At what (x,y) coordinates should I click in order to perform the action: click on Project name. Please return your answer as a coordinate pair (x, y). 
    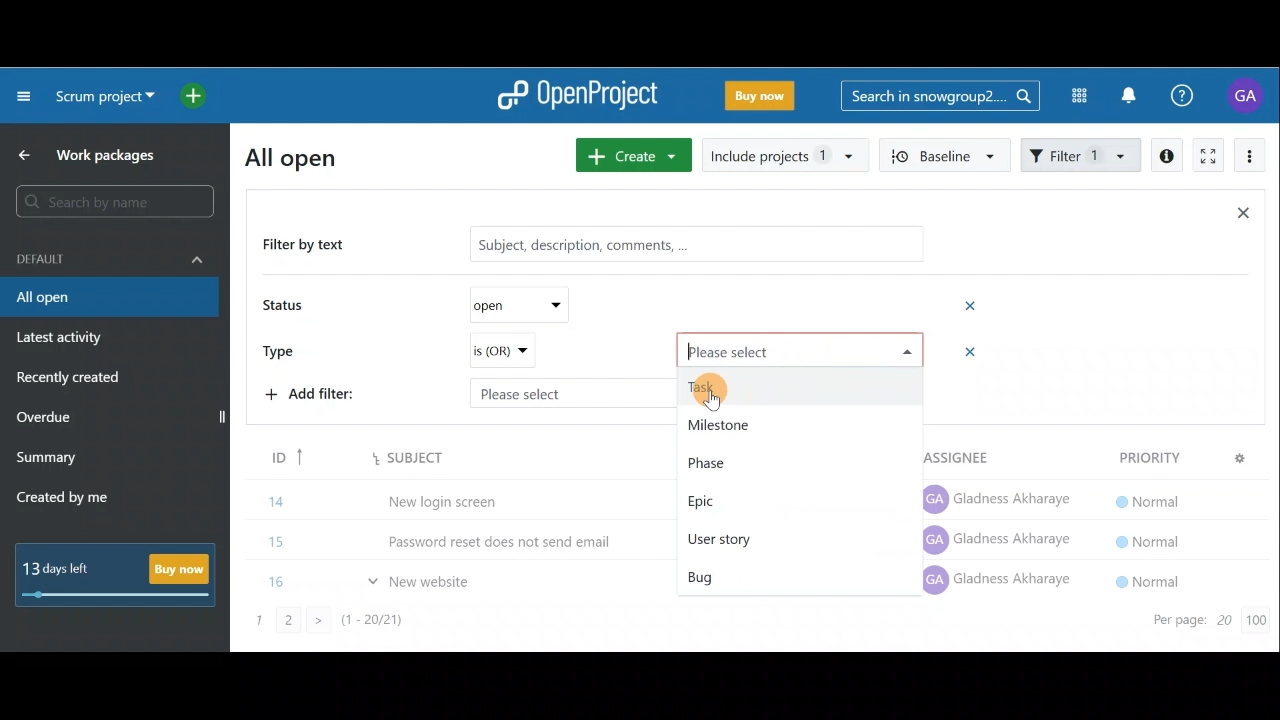
    Looking at the image, I should click on (102, 98).